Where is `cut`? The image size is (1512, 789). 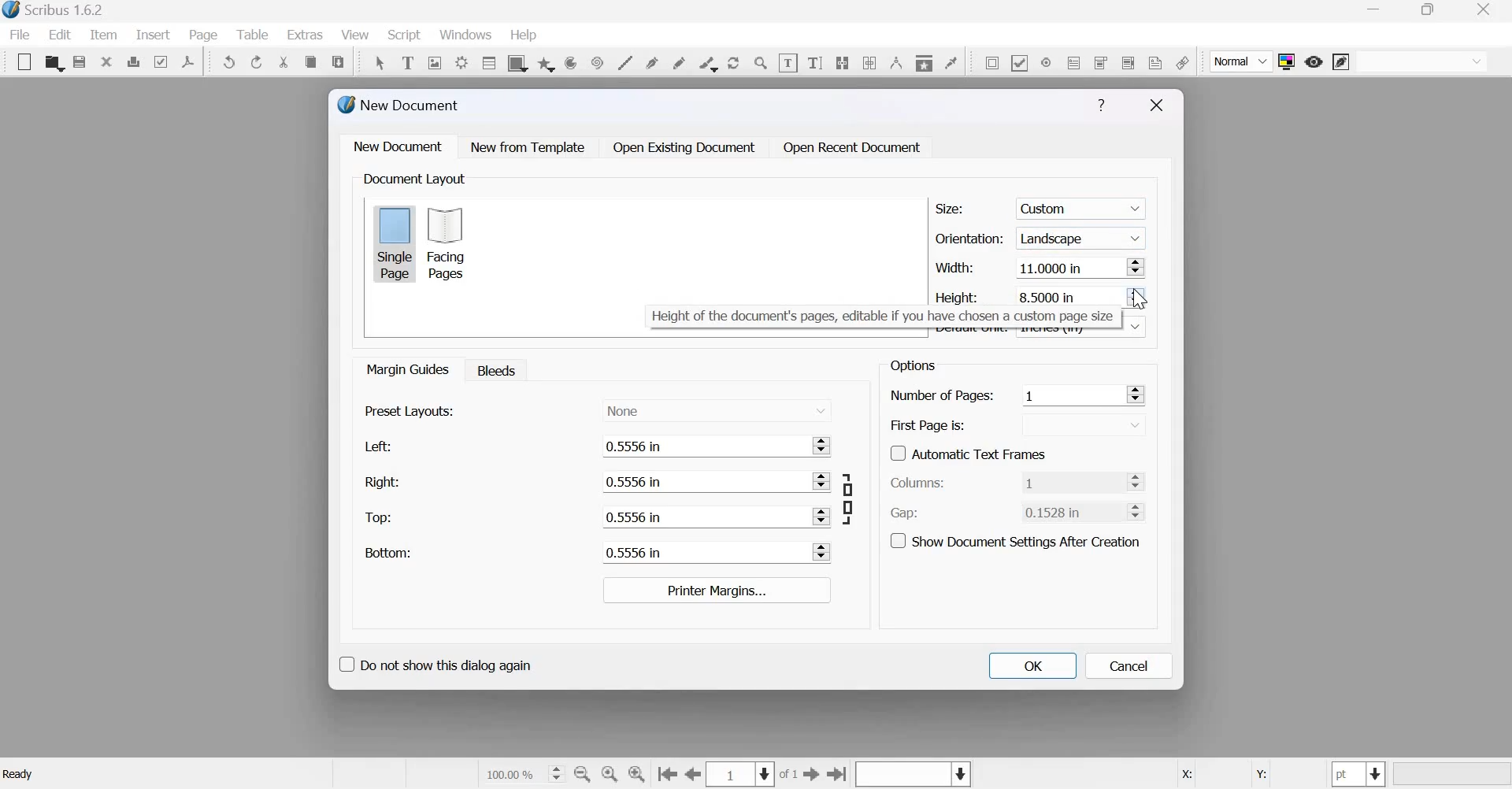
cut is located at coordinates (284, 62).